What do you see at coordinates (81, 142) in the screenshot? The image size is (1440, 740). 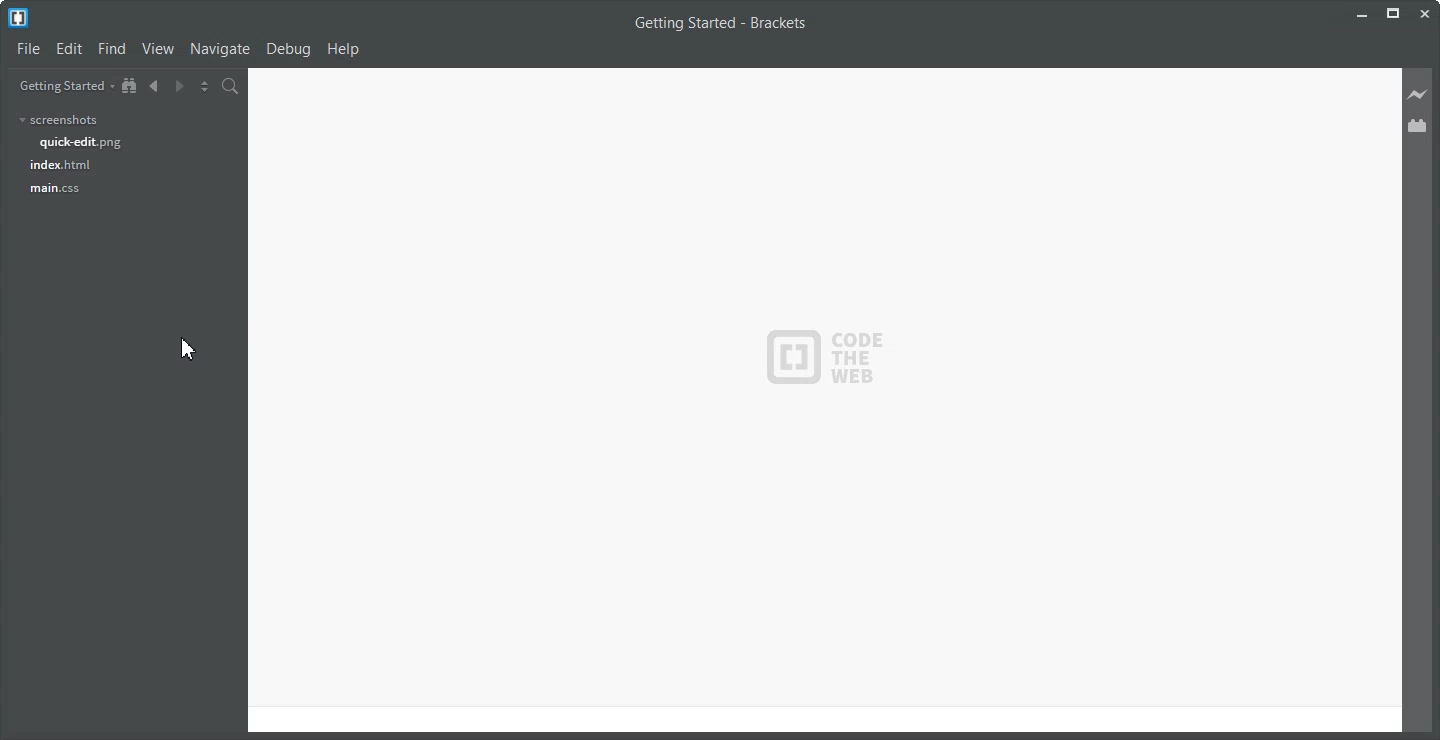 I see `quick-edit.png` at bounding box center [81, 142].